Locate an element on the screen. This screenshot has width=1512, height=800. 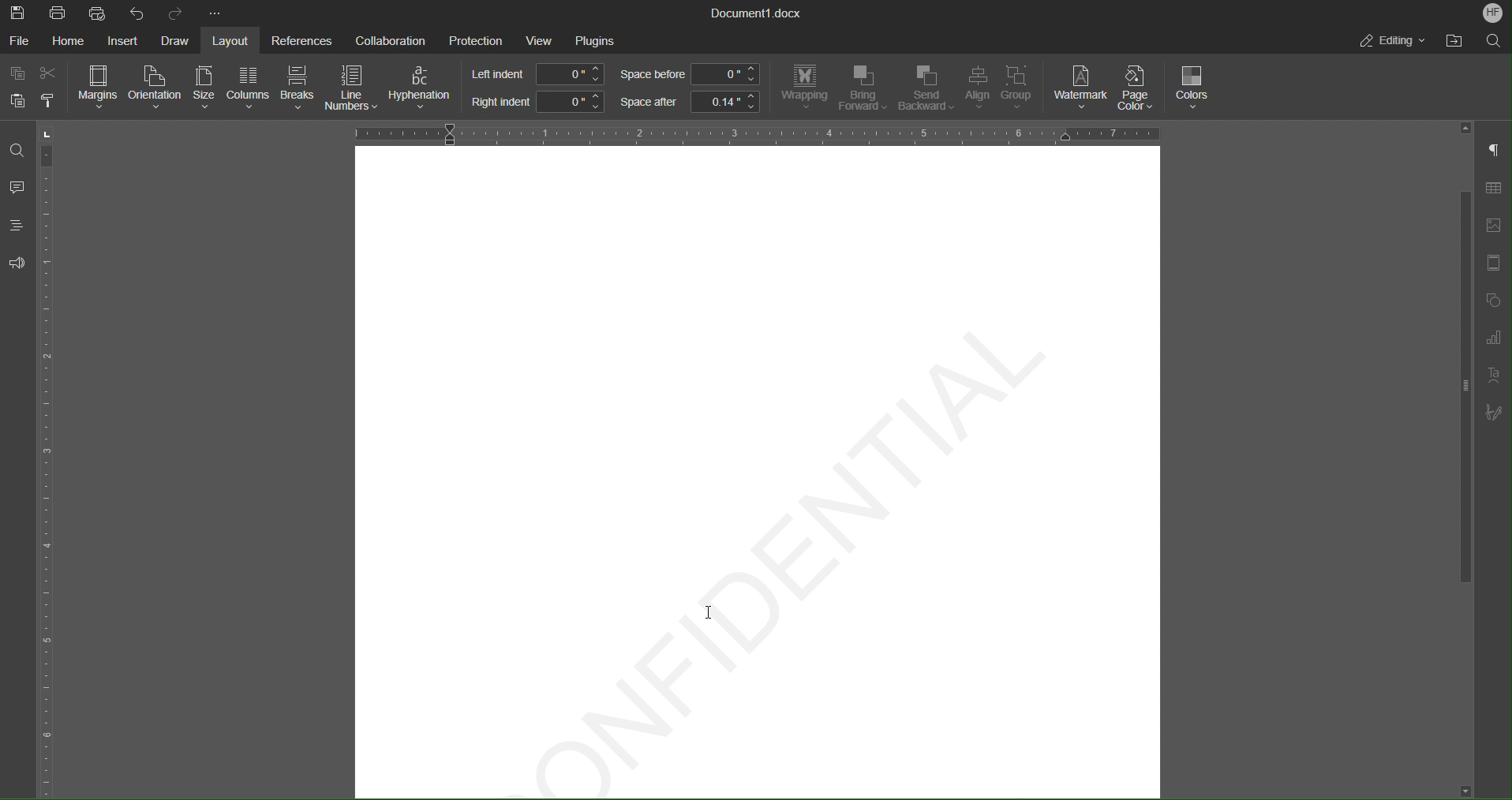
Signature is located at coordinates (1494, 413).